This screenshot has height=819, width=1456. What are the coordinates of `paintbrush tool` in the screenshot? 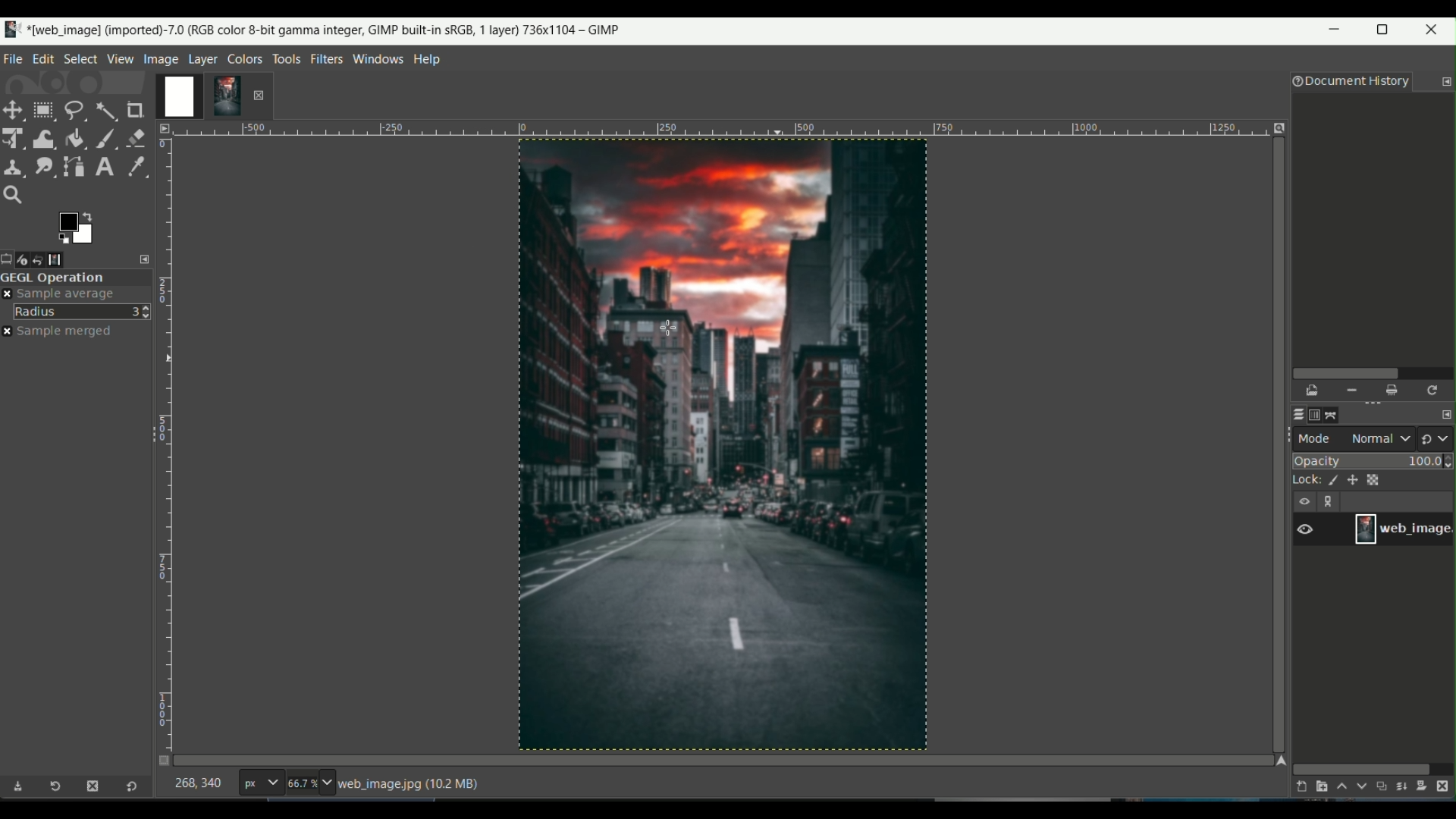 It's located at (105, 137).